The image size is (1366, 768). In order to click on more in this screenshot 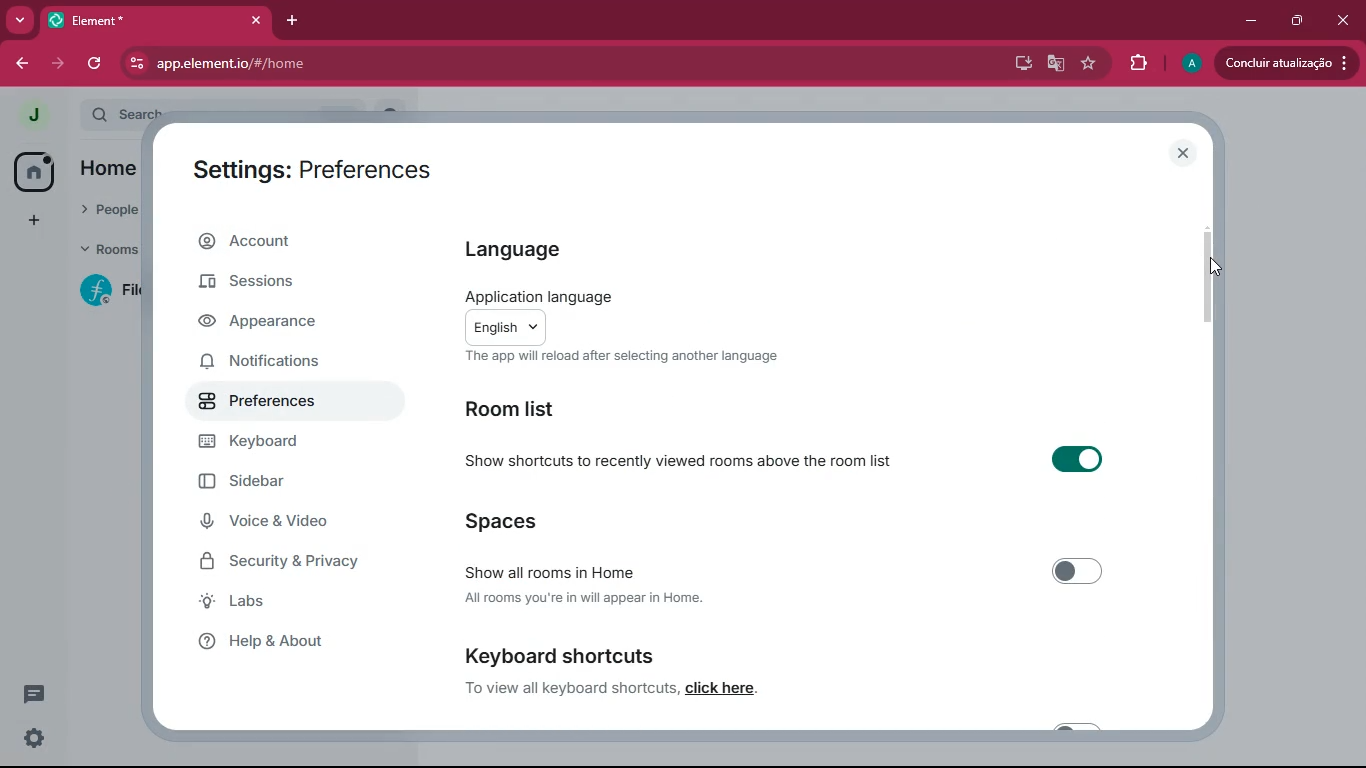, I will do `click(36, 219)`.